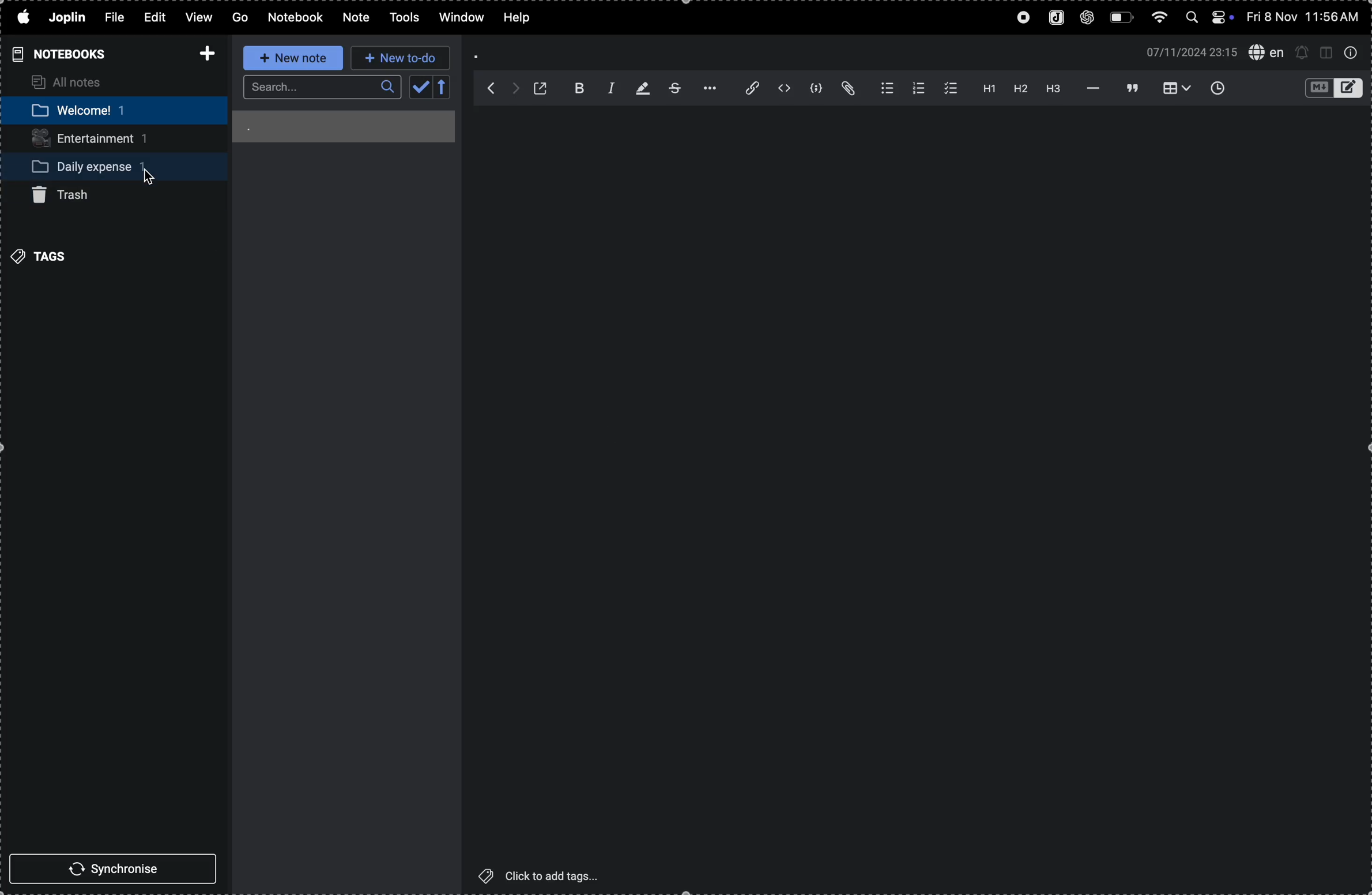  Describe the element at coordinates (640, 87) in the screenshot. I see `highlight` at that location.